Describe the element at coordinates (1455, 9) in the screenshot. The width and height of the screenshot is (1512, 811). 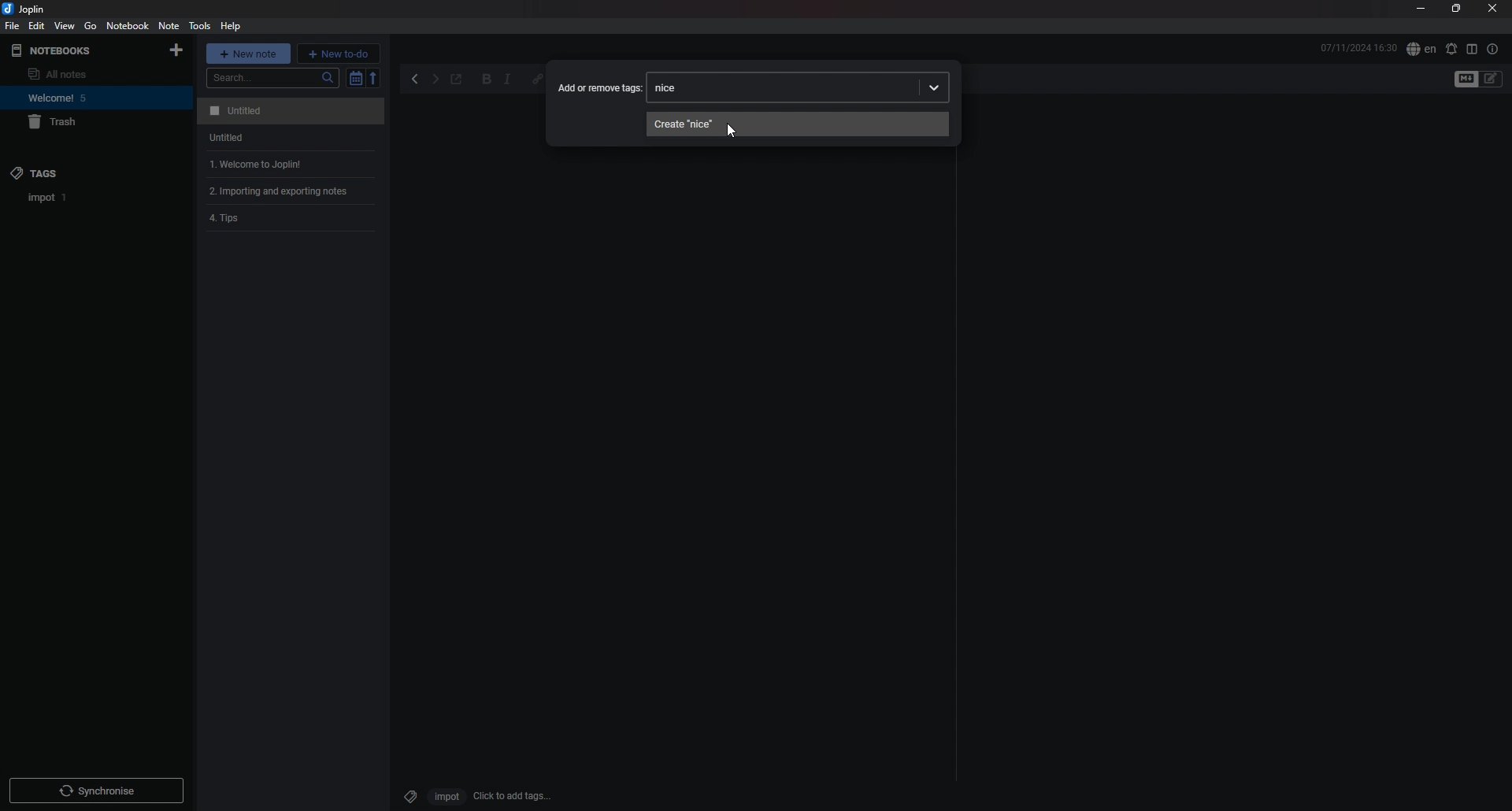
I see `resize` at that location.